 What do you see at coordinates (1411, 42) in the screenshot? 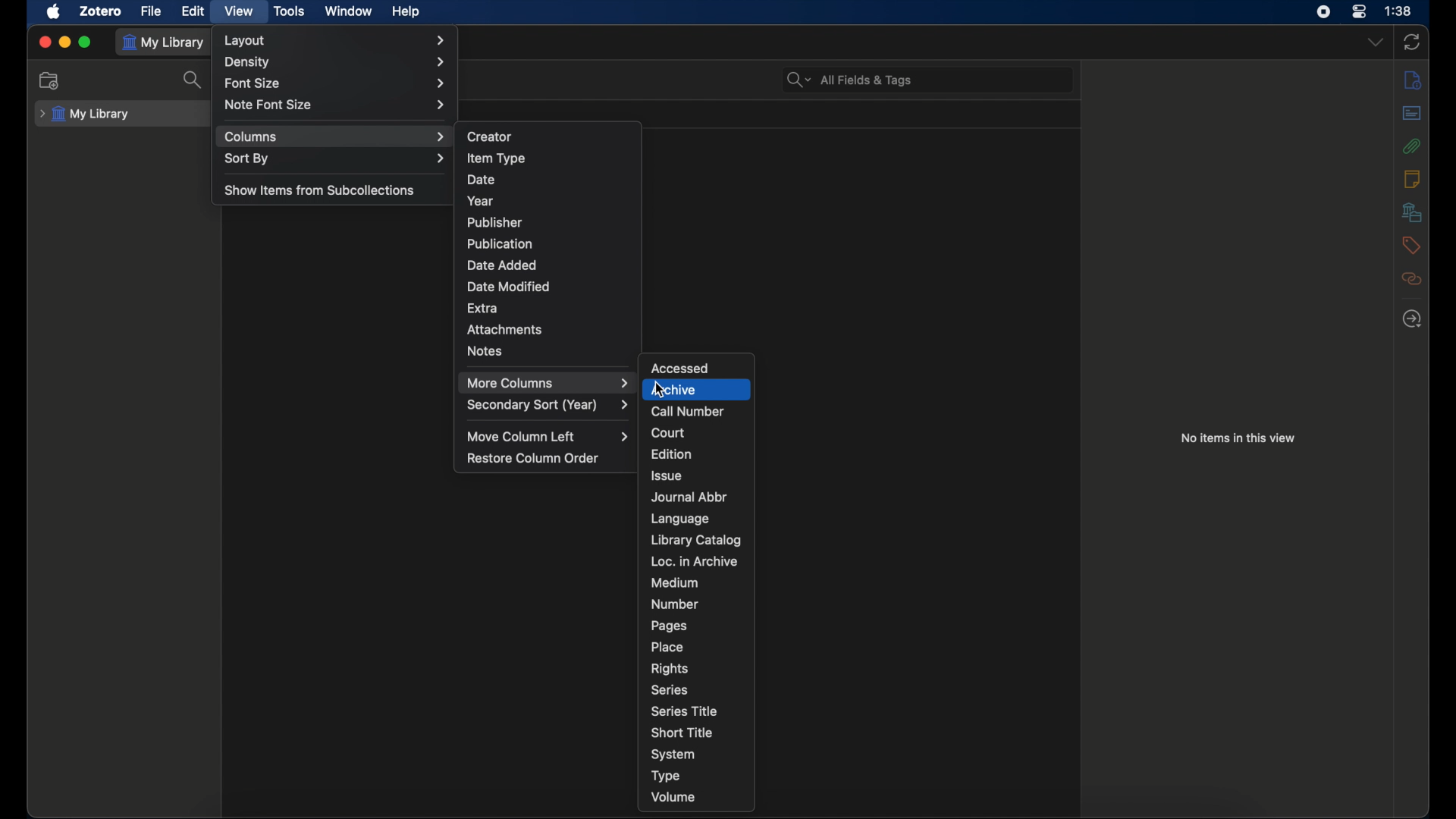
I see `sync` at bounding box center [1411, 42].